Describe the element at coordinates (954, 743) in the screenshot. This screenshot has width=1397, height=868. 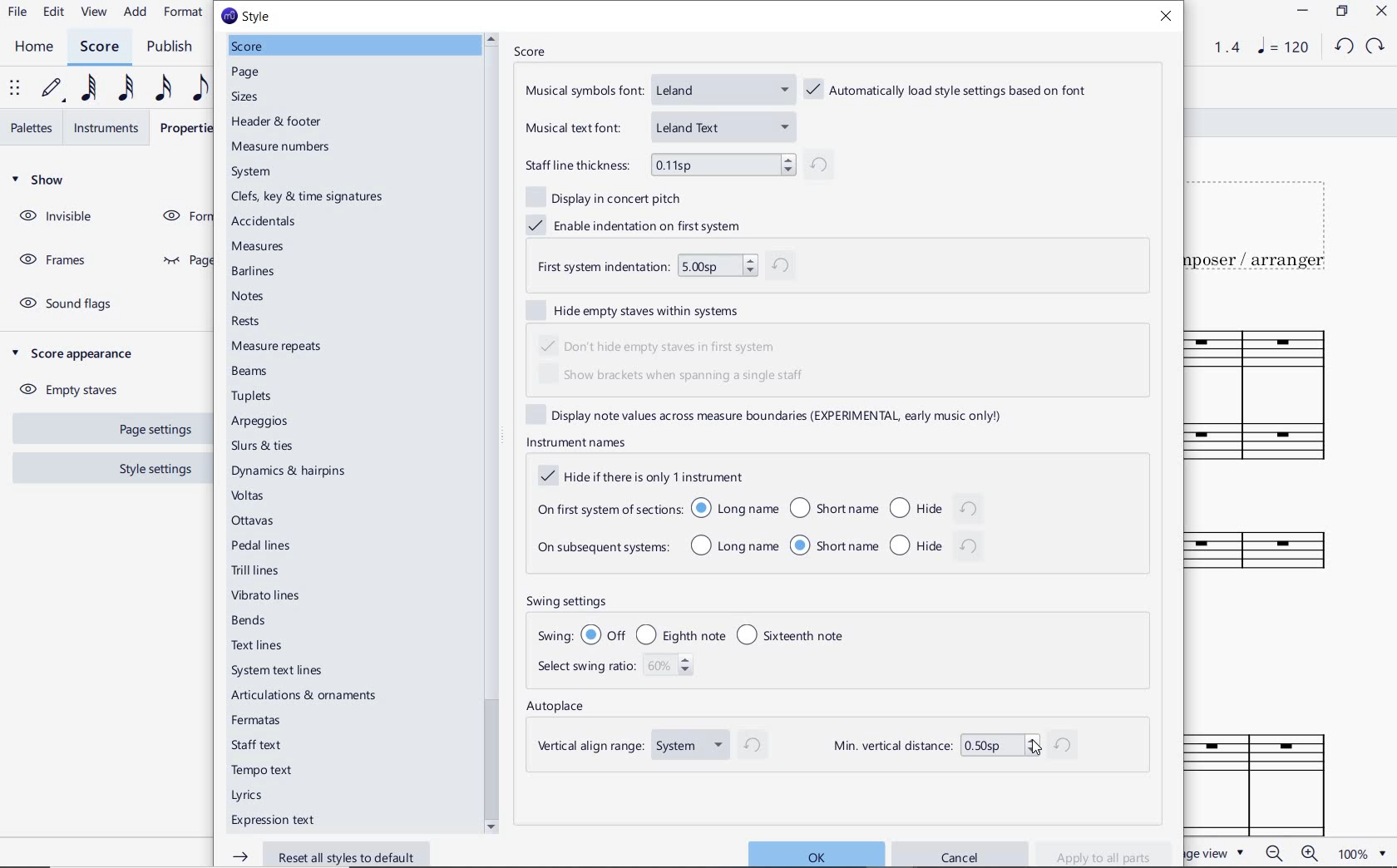
I see `Min. vertical distance` at that location.